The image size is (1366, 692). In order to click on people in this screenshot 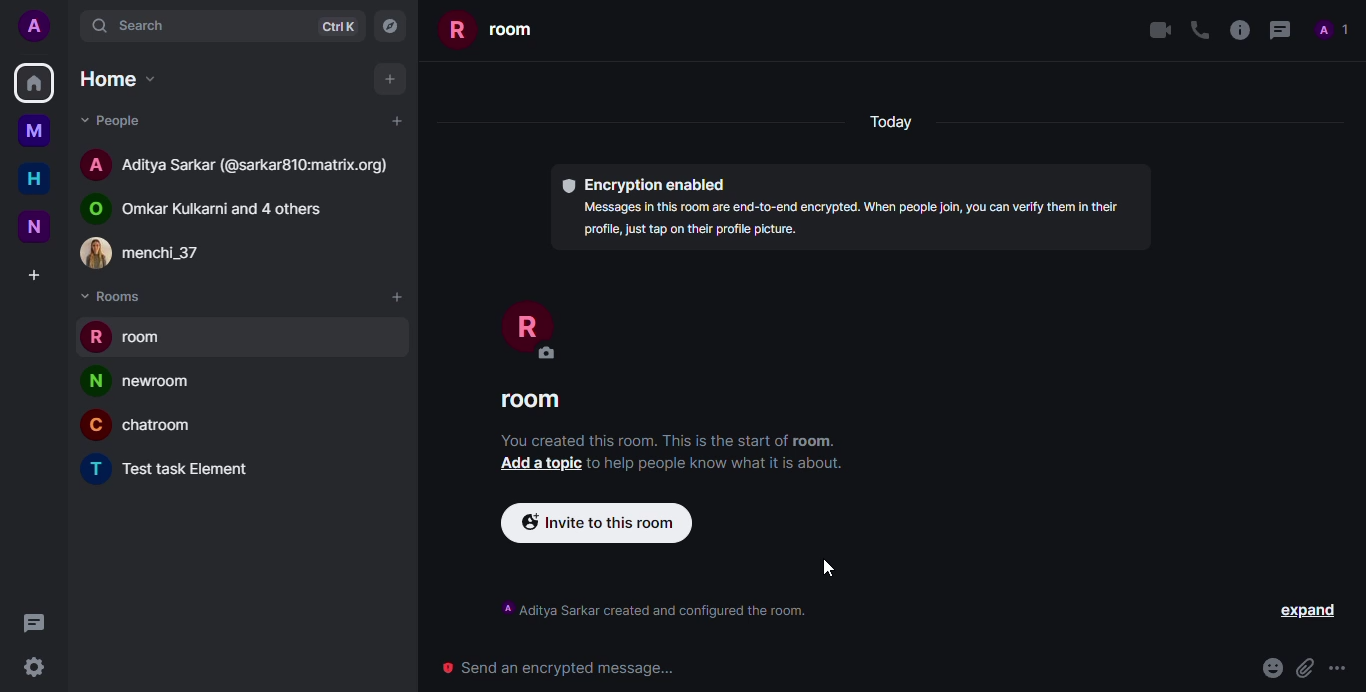, I will do `click(1333, 30)`.